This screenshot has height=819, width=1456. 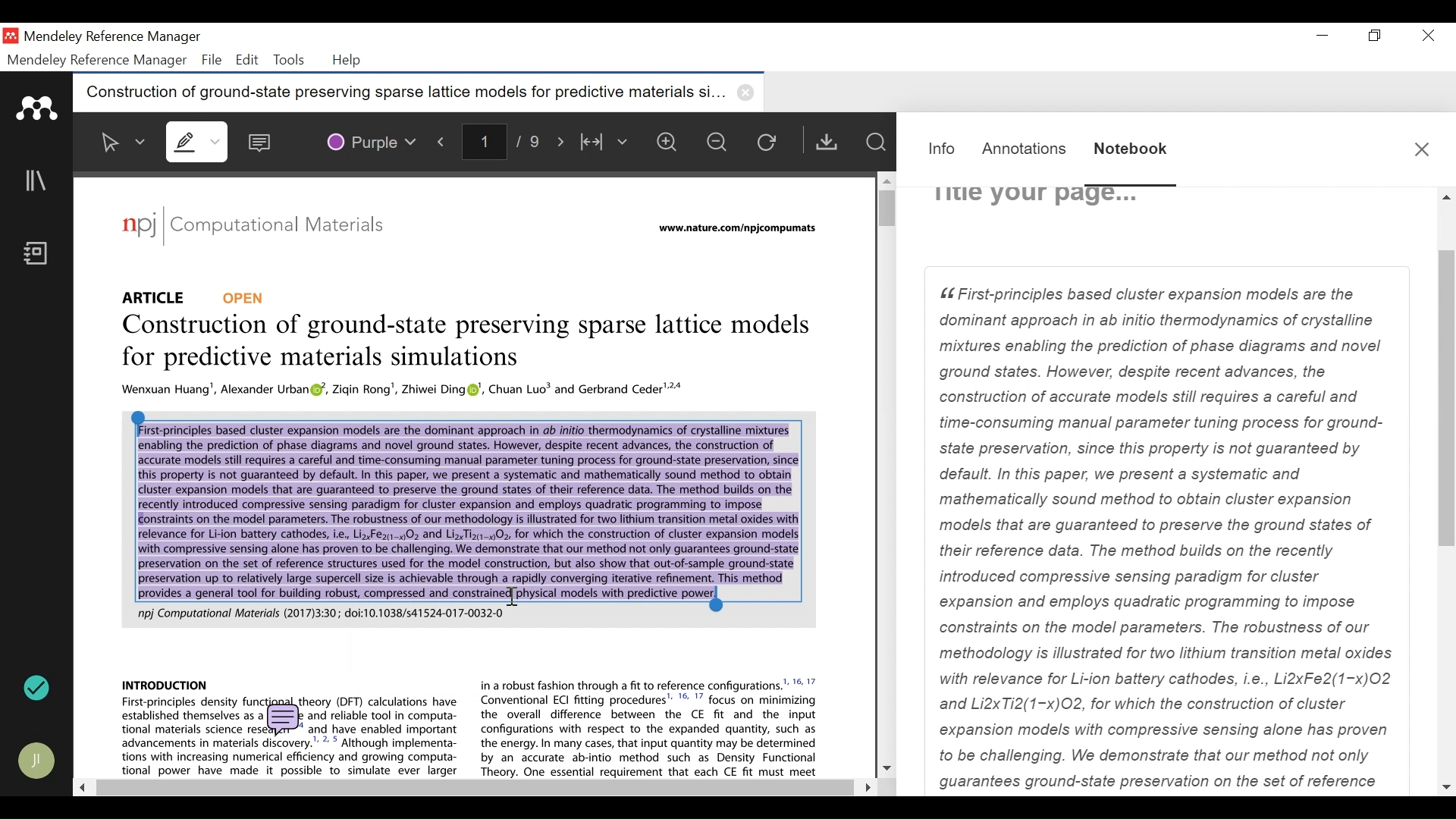 I want to click on logo, so click(x=139, y=224).